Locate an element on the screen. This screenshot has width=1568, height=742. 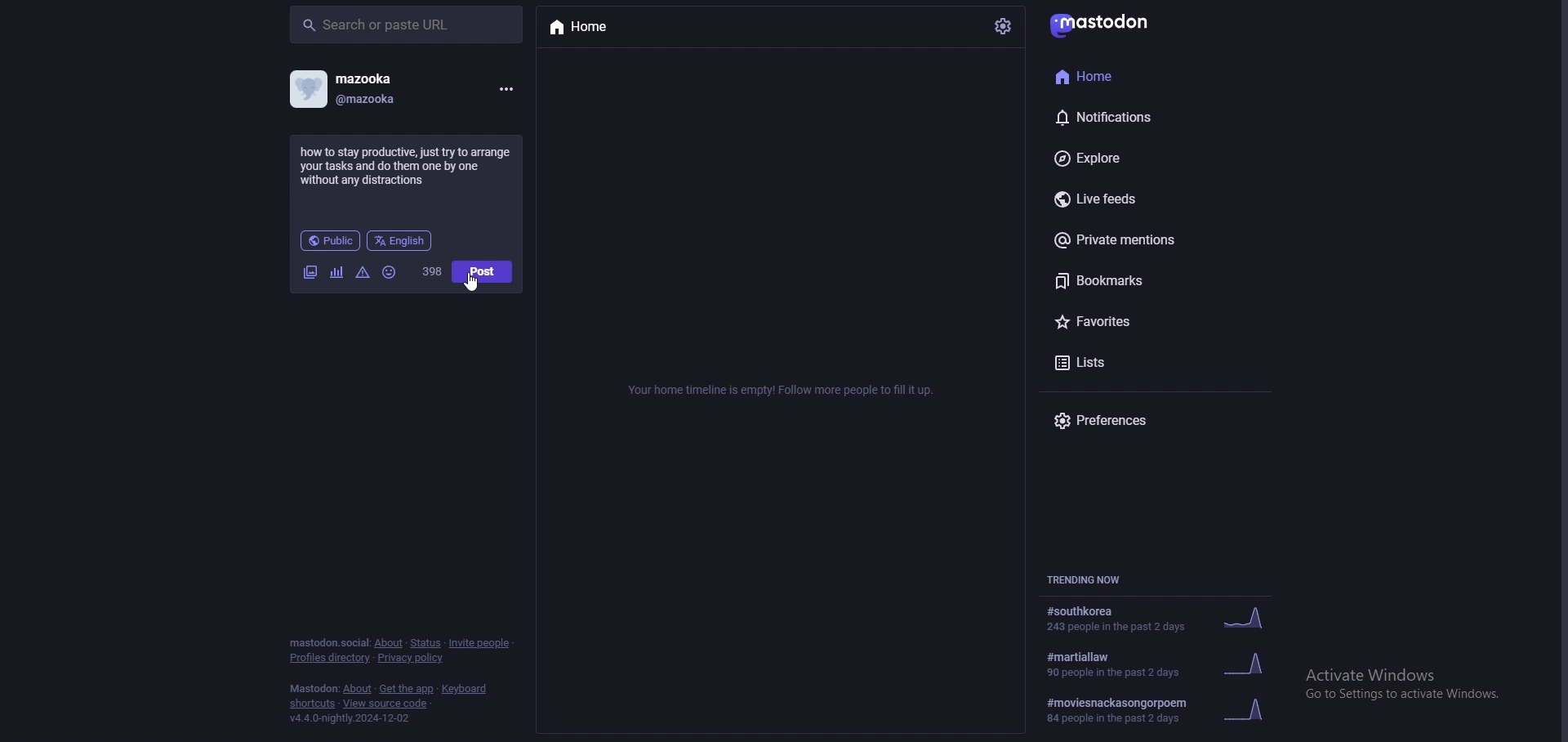
mastodon is located at coordinates (1110, 23).